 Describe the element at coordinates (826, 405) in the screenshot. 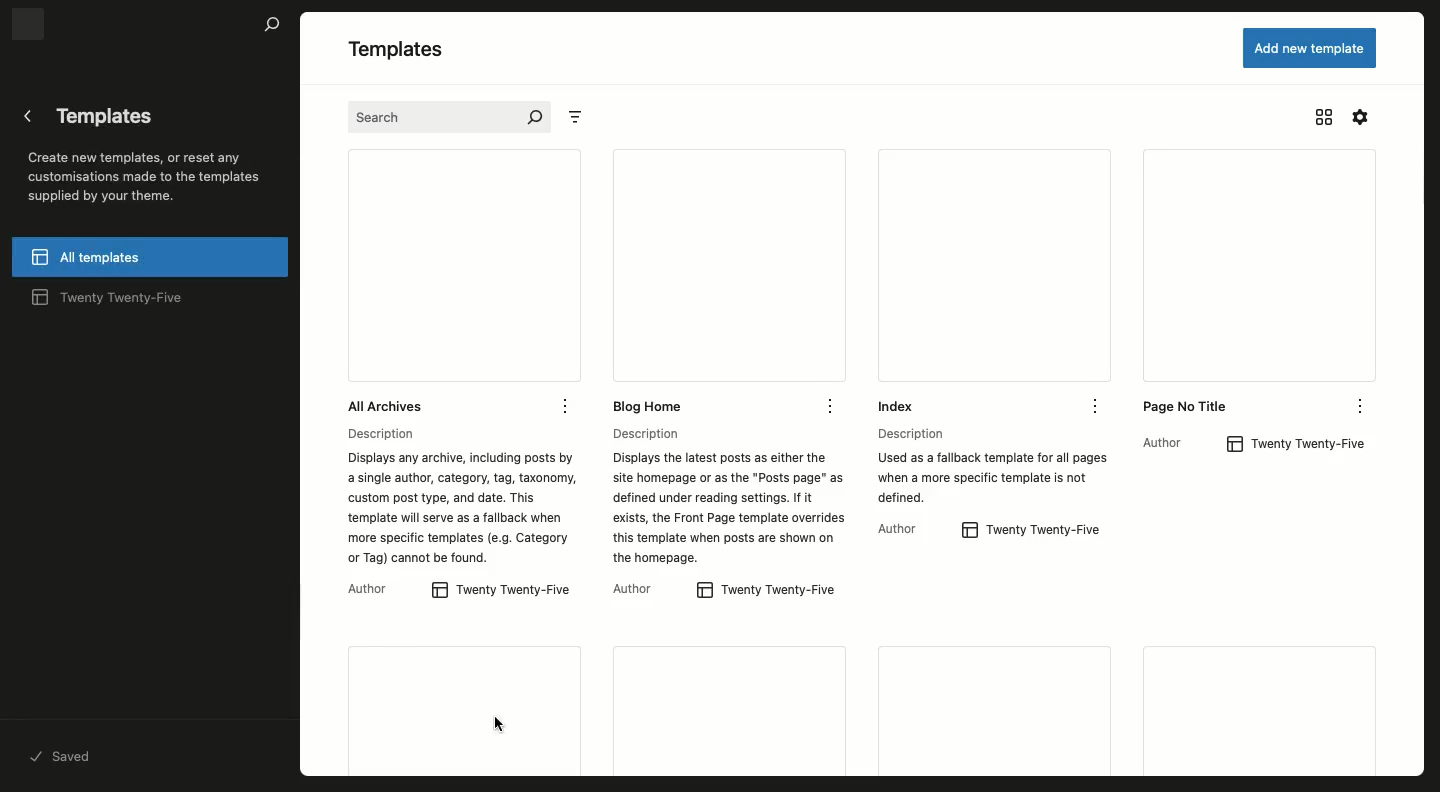

I see `option` at that location.